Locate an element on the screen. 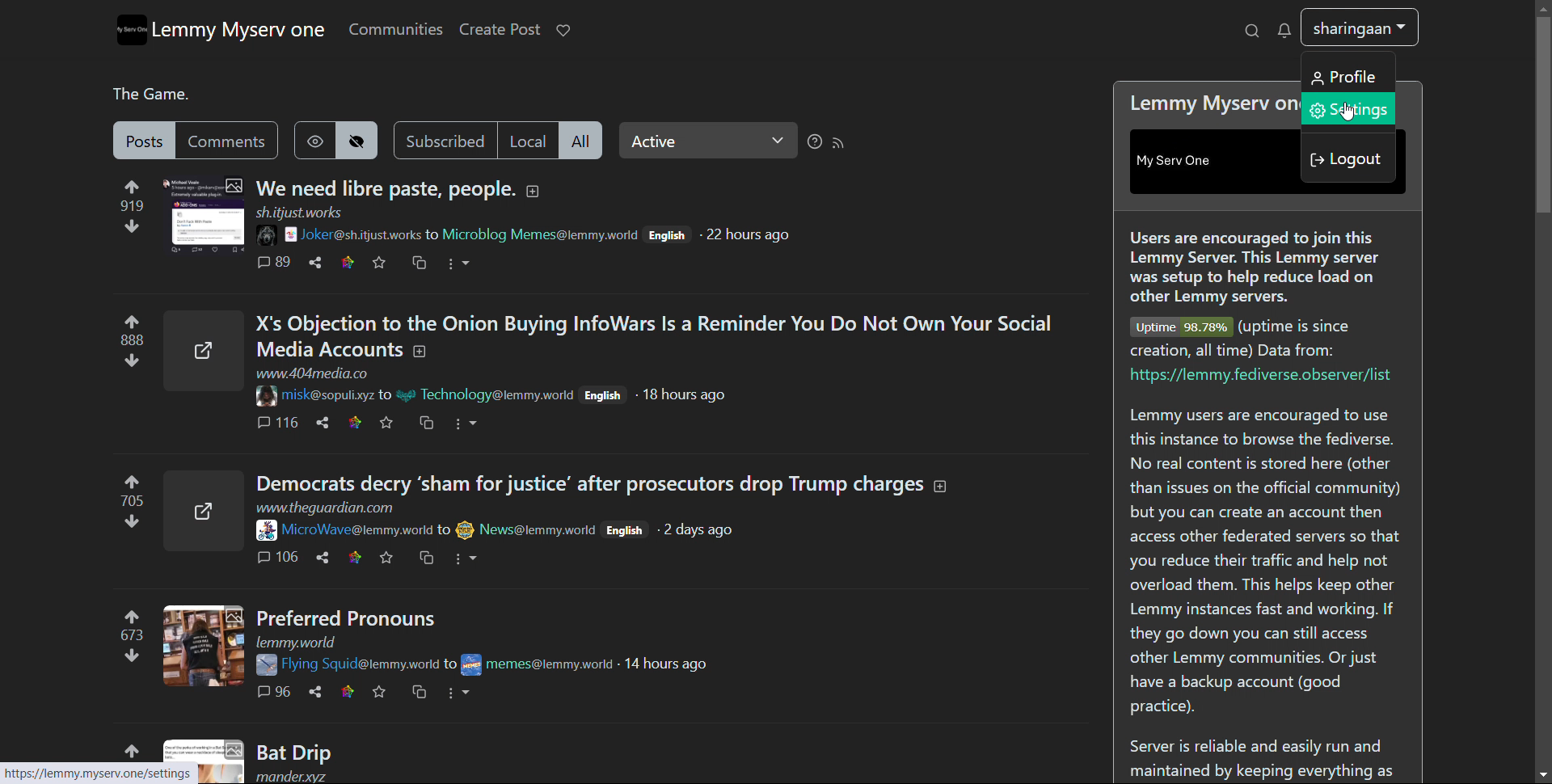 The image size is (1552, 784). more is located at coordinates (470, 558).